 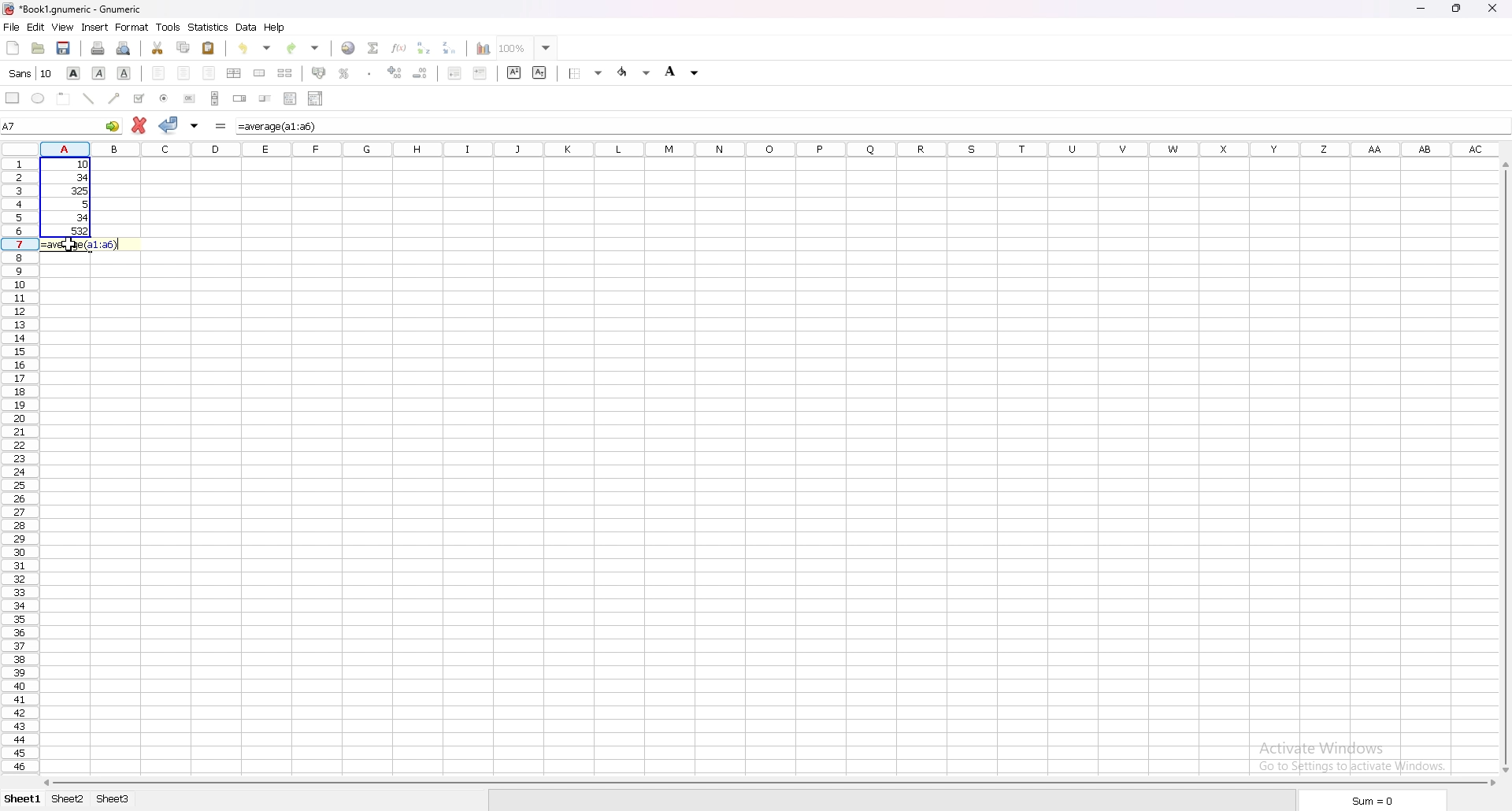 What do you see at coordinates (233, 72) in the screenshot?
I see `centre horizontally` at bounding box center [233, 72].